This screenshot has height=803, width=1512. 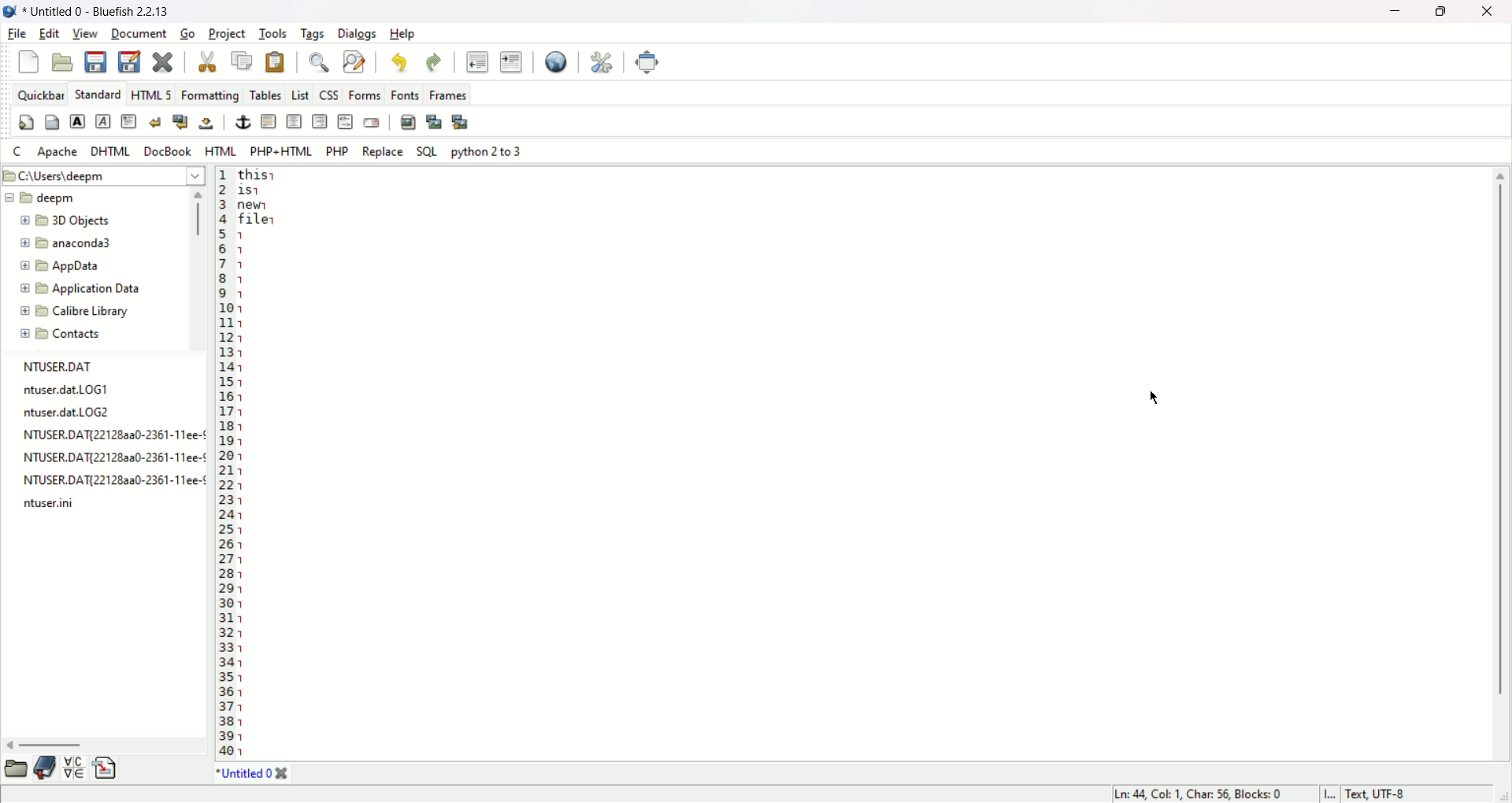 I want to click on forms, so click(x=361, y=95).